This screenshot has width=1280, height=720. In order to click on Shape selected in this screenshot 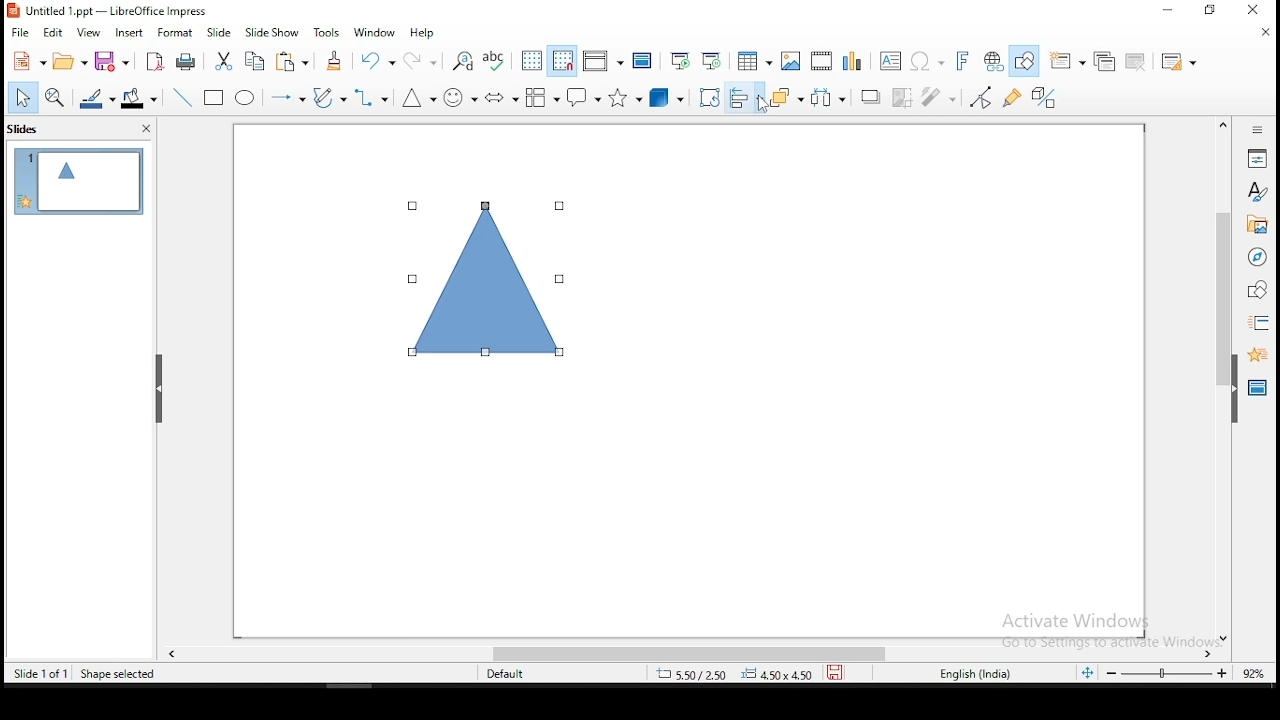, I will do `click(116, 674)`.